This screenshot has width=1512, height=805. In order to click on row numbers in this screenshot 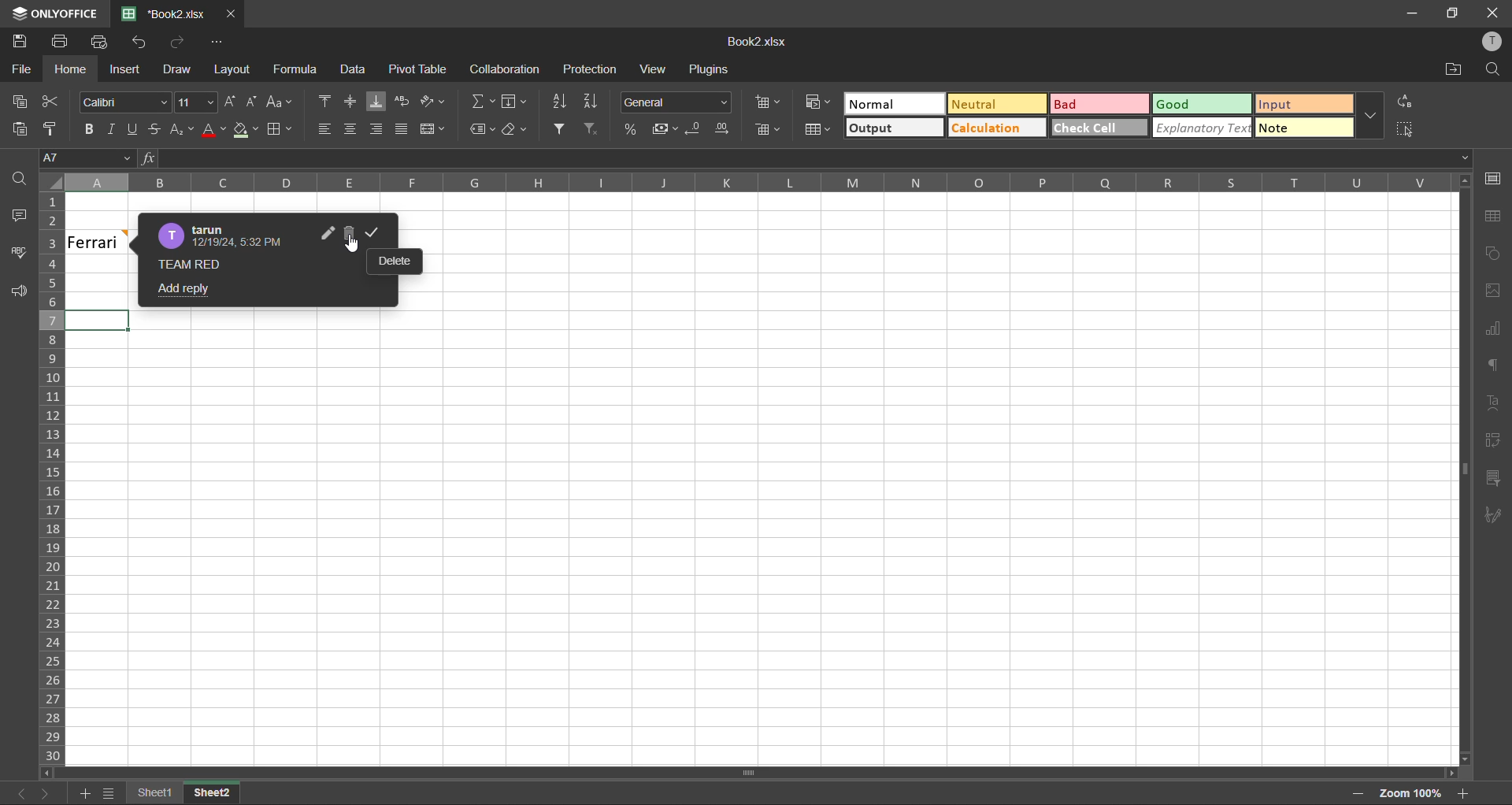, I will do `click(54, 478)`.